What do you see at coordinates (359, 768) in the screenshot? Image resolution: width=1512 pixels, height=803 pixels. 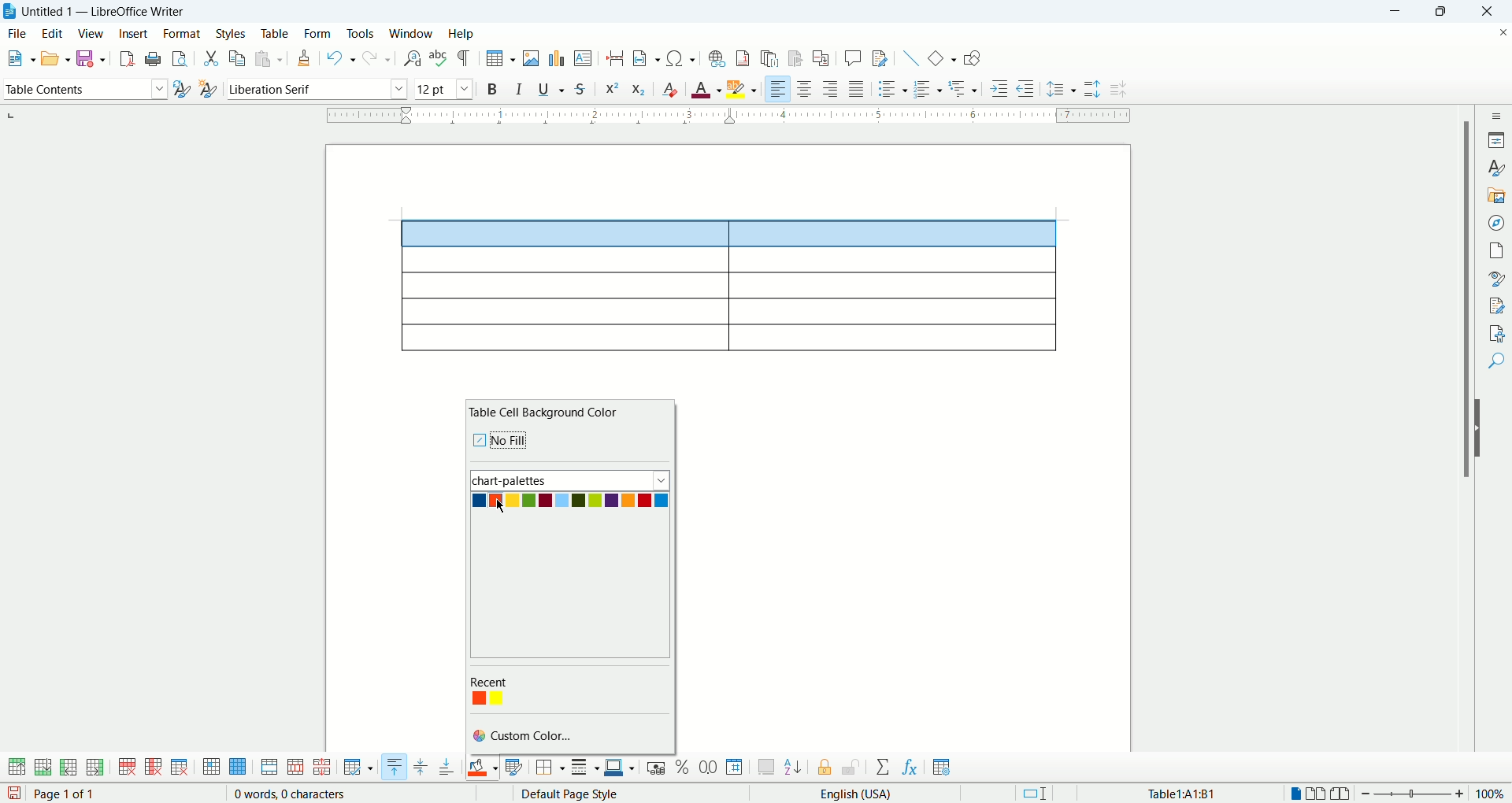 I see `optimize size` at bounding box center [359, 768].